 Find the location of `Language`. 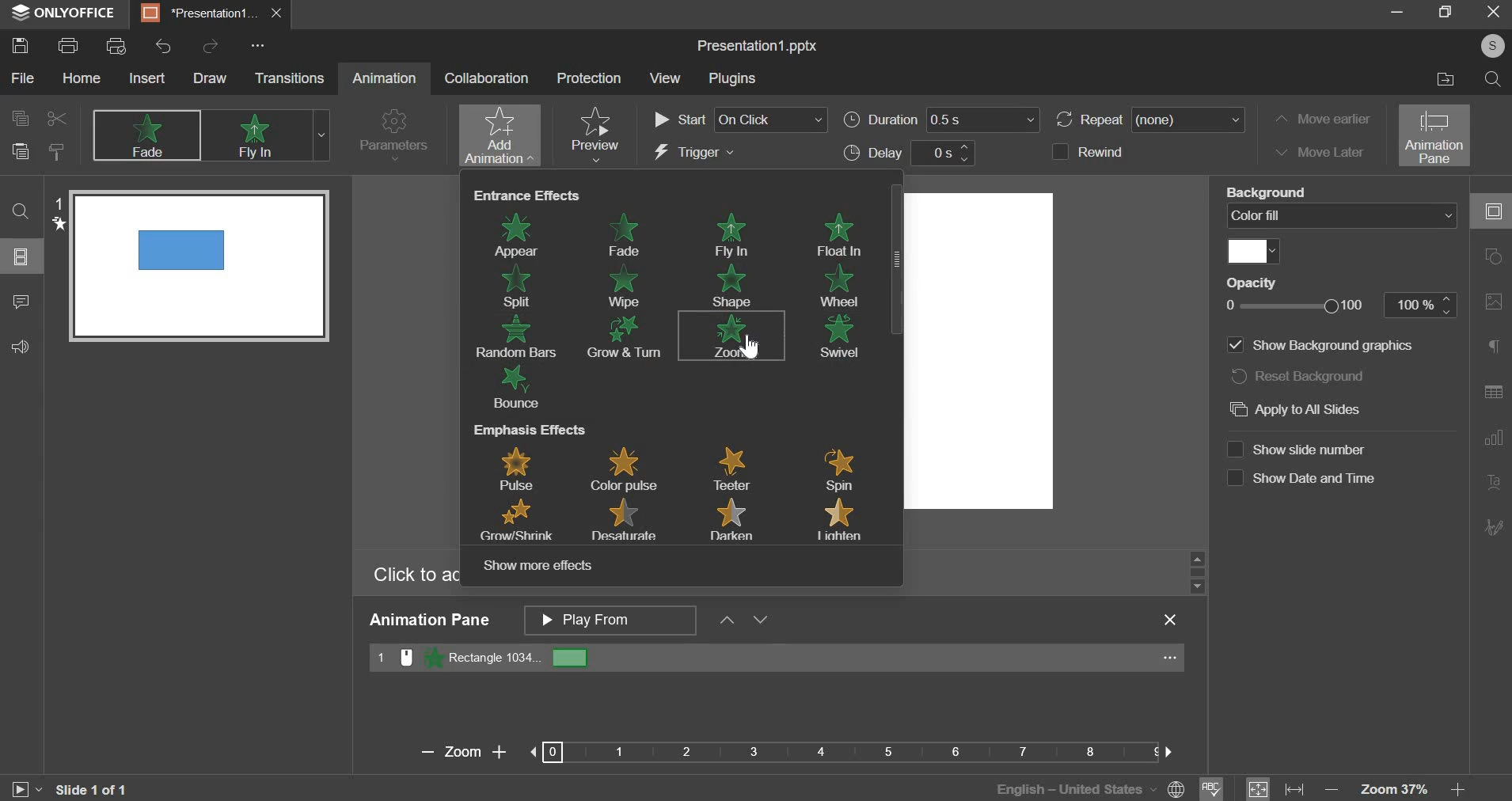

Language is located at coordinates (1176, 788).